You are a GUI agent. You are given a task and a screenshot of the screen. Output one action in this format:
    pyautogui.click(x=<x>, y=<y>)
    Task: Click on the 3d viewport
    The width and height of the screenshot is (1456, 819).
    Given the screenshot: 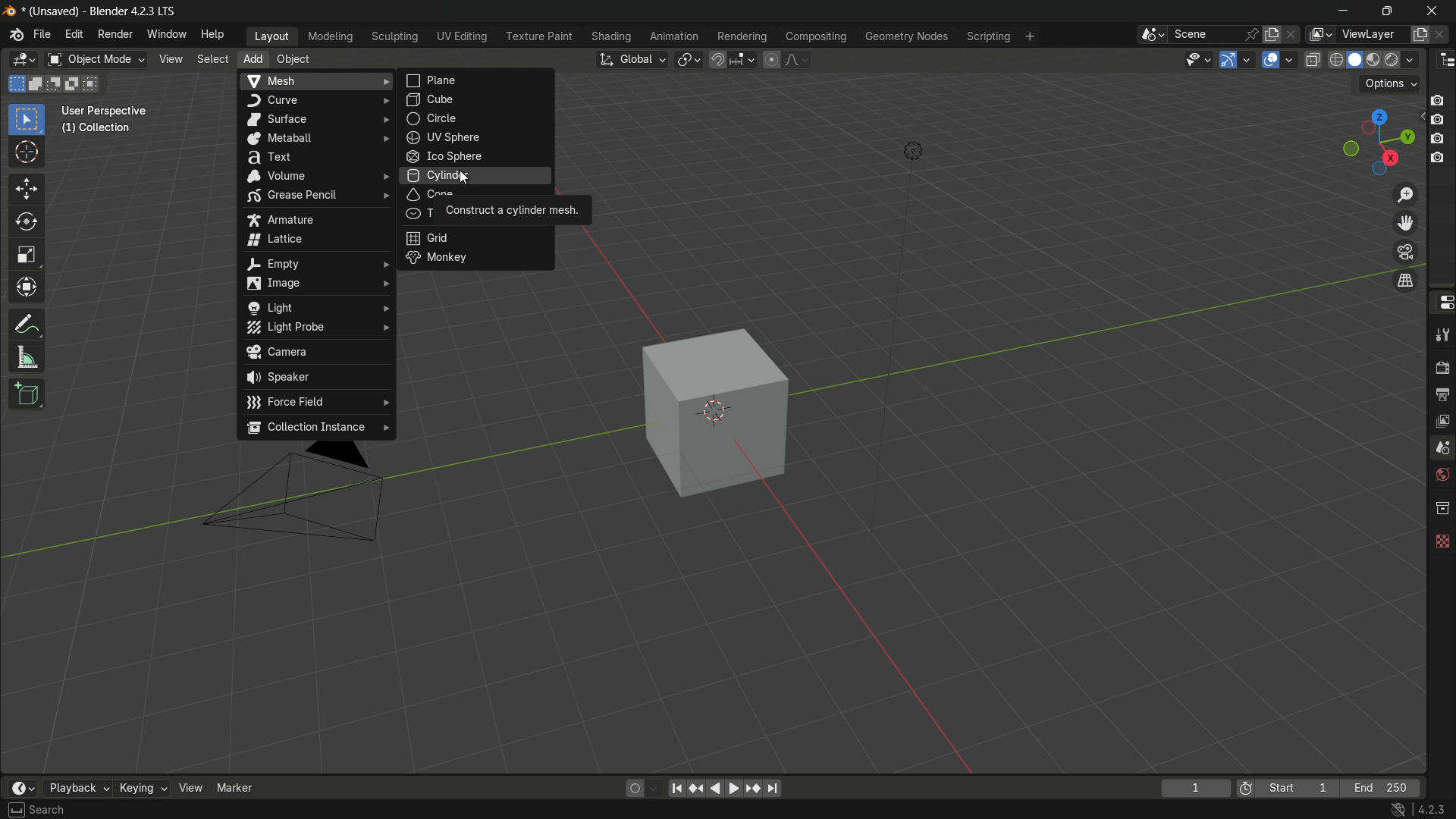 What is the action you would take?
    pyautogui.click(x=23, y=60)
    